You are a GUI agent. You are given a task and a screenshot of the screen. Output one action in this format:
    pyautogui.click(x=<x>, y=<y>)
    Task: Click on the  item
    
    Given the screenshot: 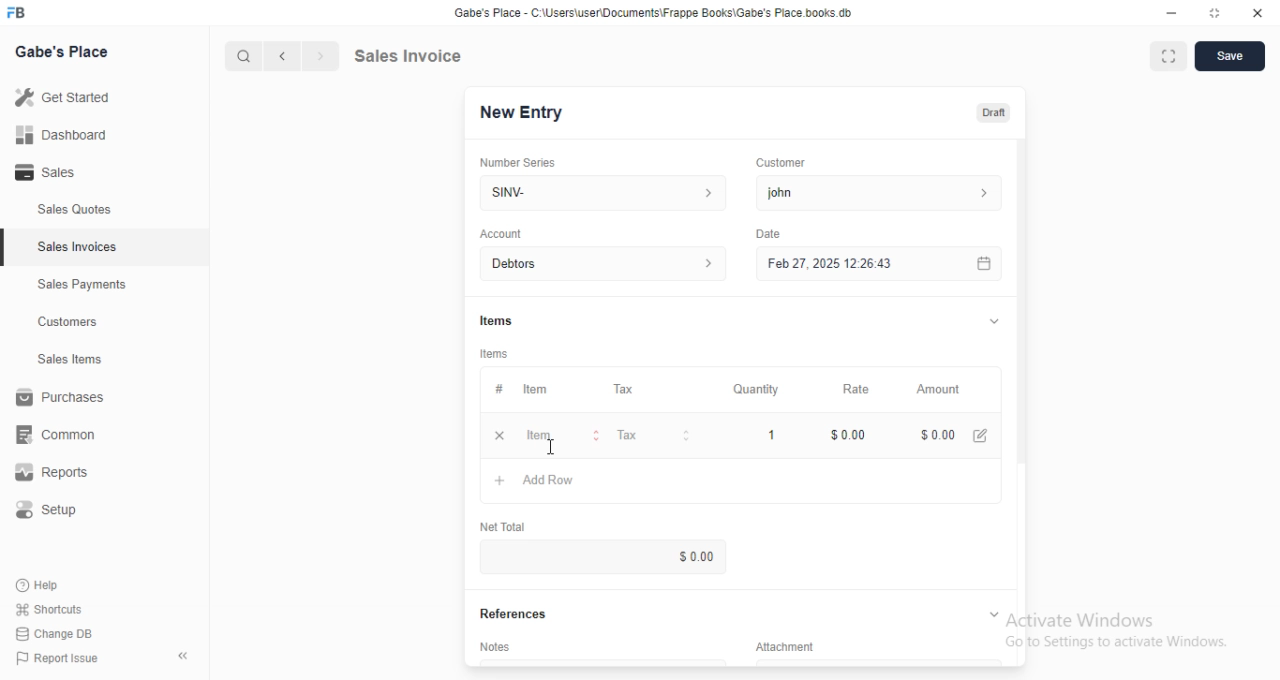 What is the action you would take?
    pyautogui.click(x=563, y=436)
    